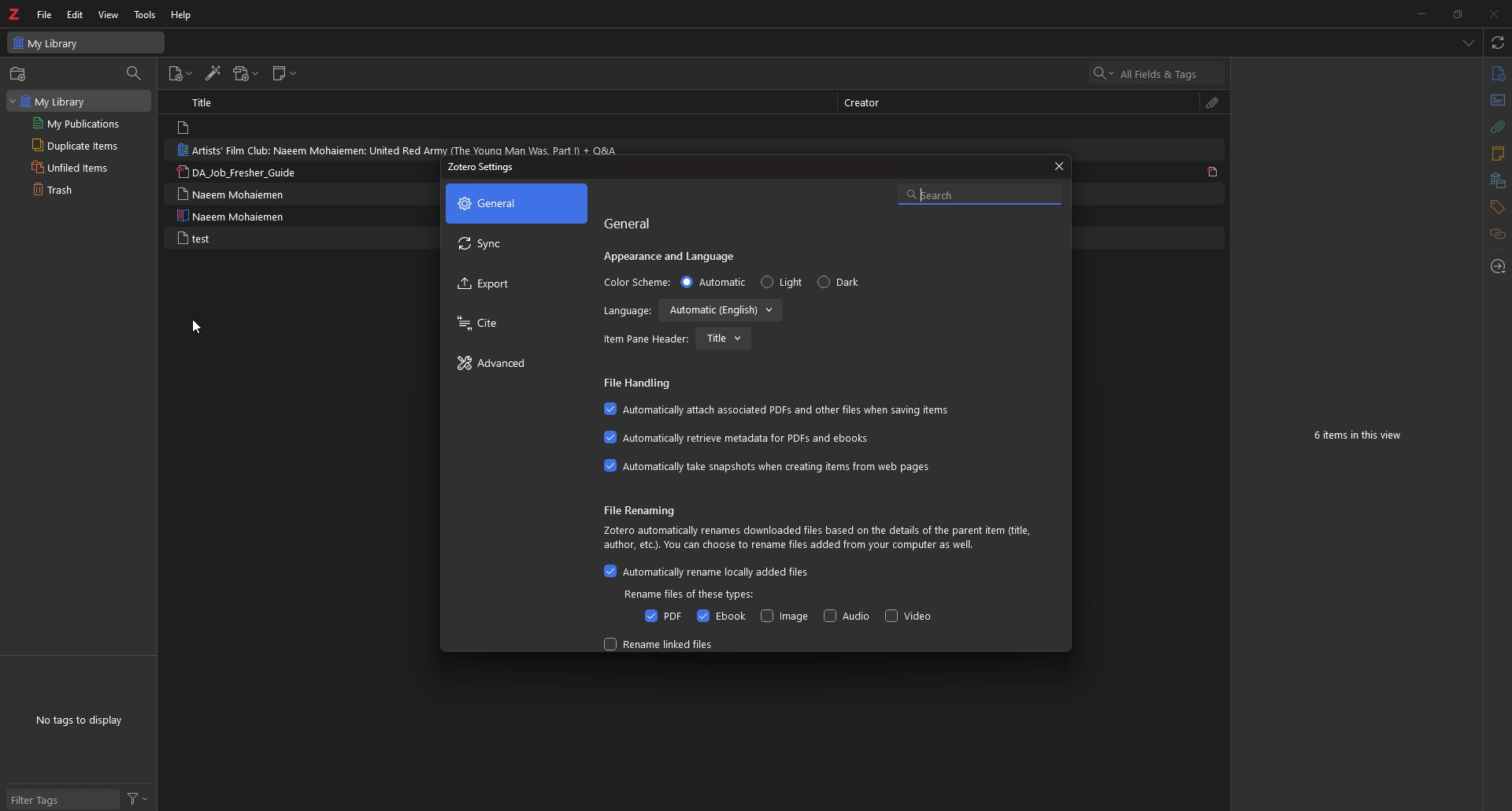 The width and height of the screenshot is (1512, 811). Describe the element at coordinates (847, 617) in the screenshot. I see `audio` at that location.